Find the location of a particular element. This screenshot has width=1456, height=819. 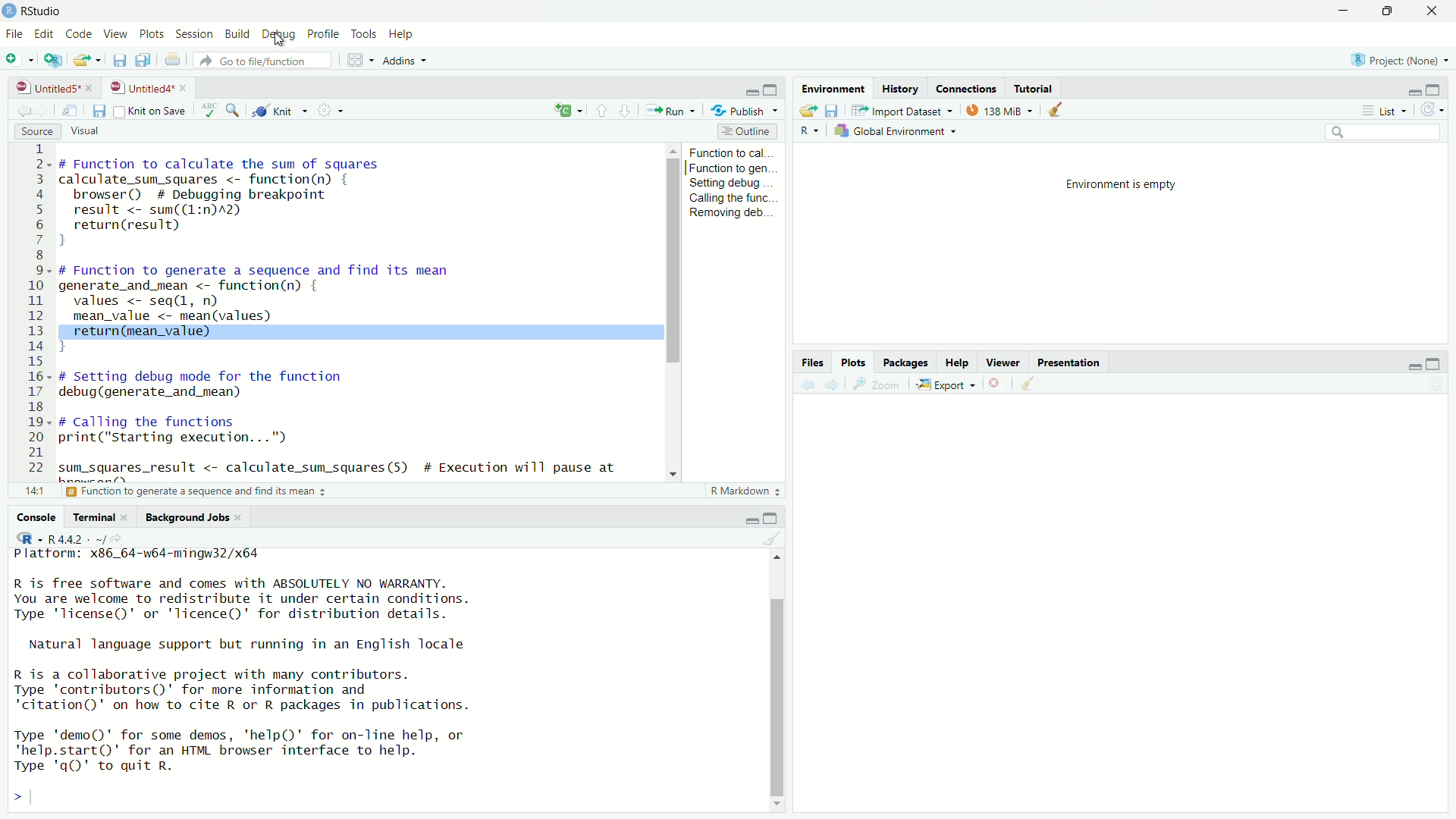

help is located at coordinates (958, 362).